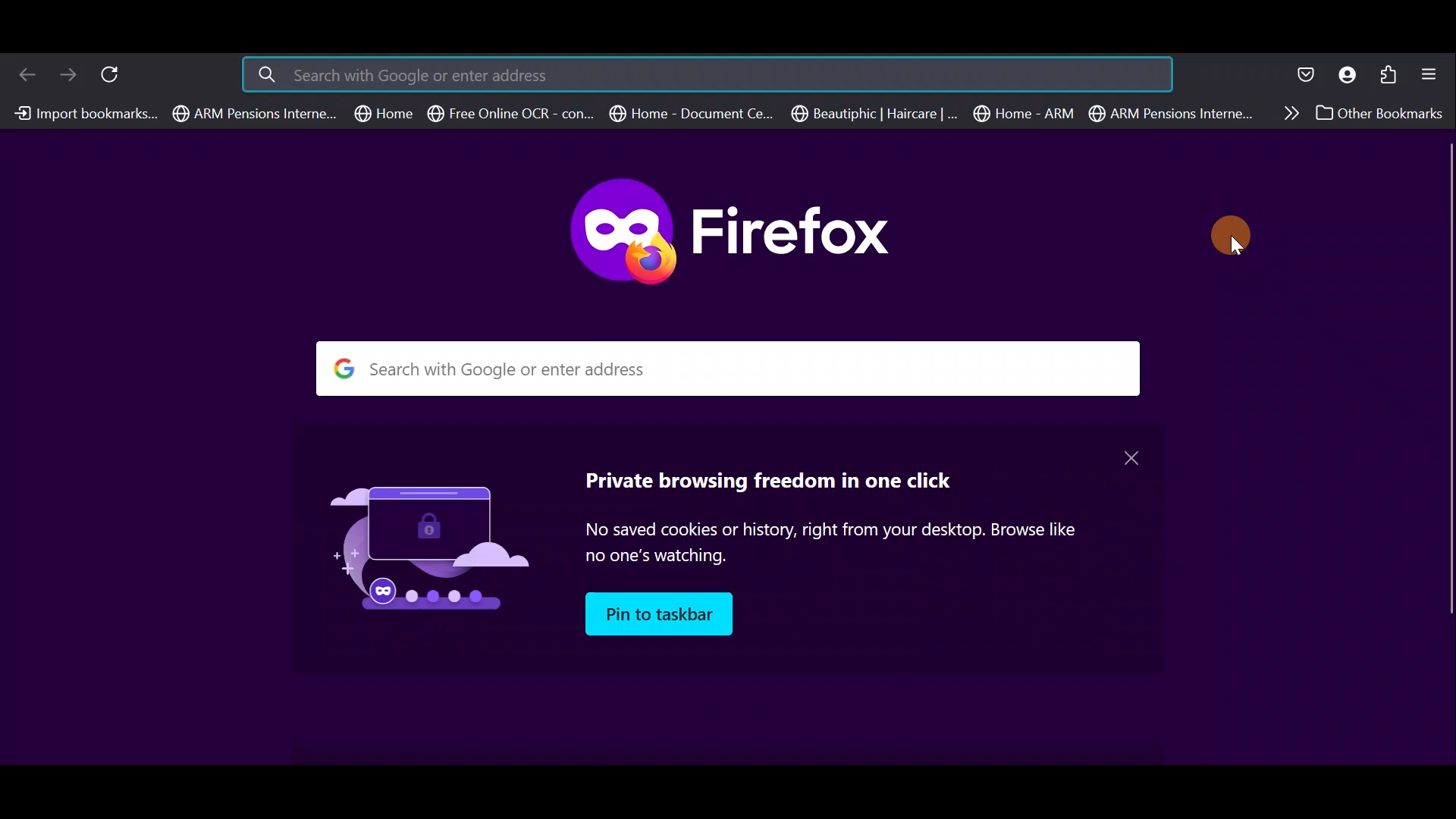 The height and width of the screenshot is (819, 1456). I want to click on Reload current page, so click(116, 72).